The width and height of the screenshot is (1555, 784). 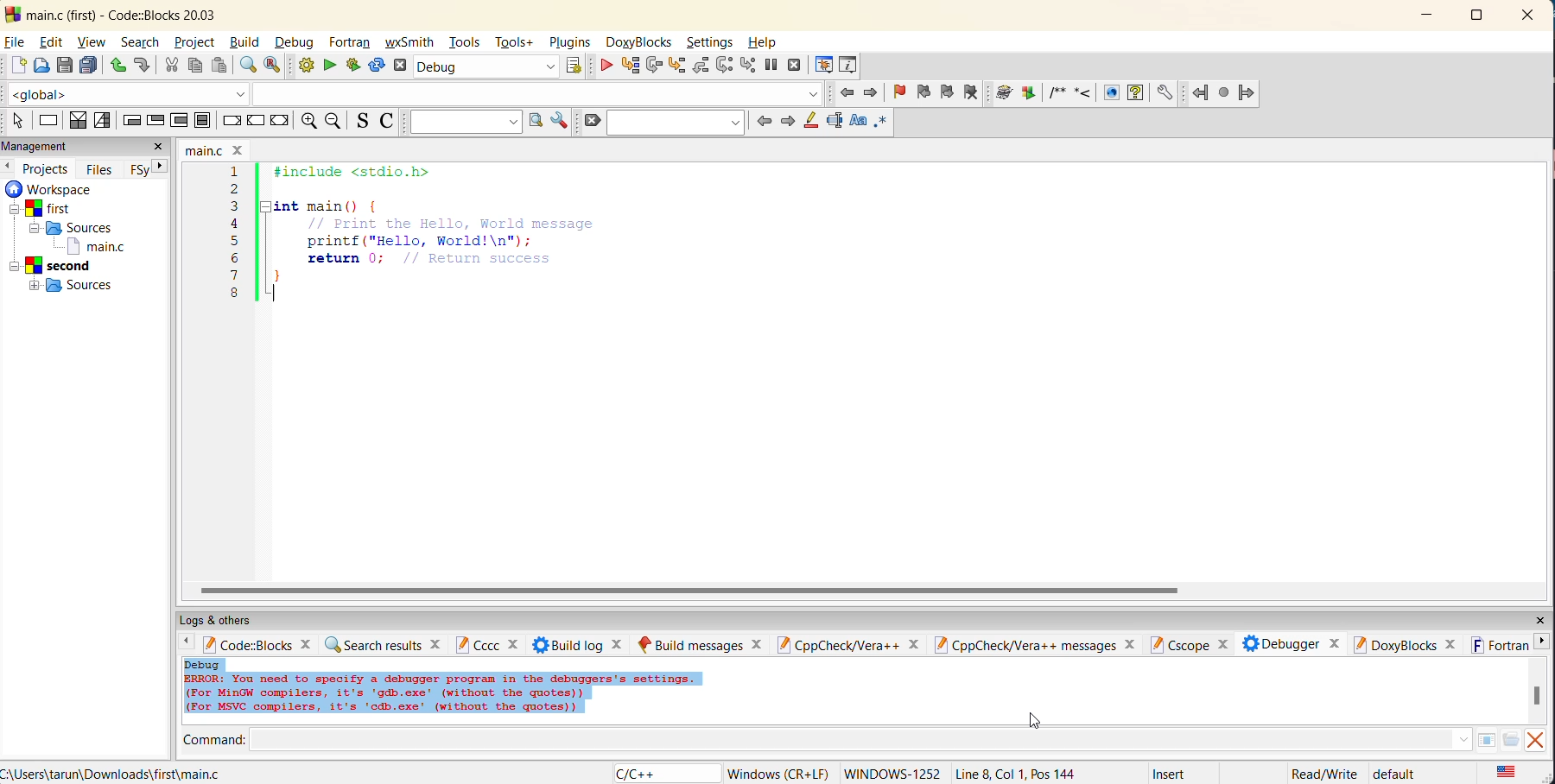 What do you see at coordinates (155, 121) in the screenshot?
I see `exit condition loop` at bounding box center [155, 121].